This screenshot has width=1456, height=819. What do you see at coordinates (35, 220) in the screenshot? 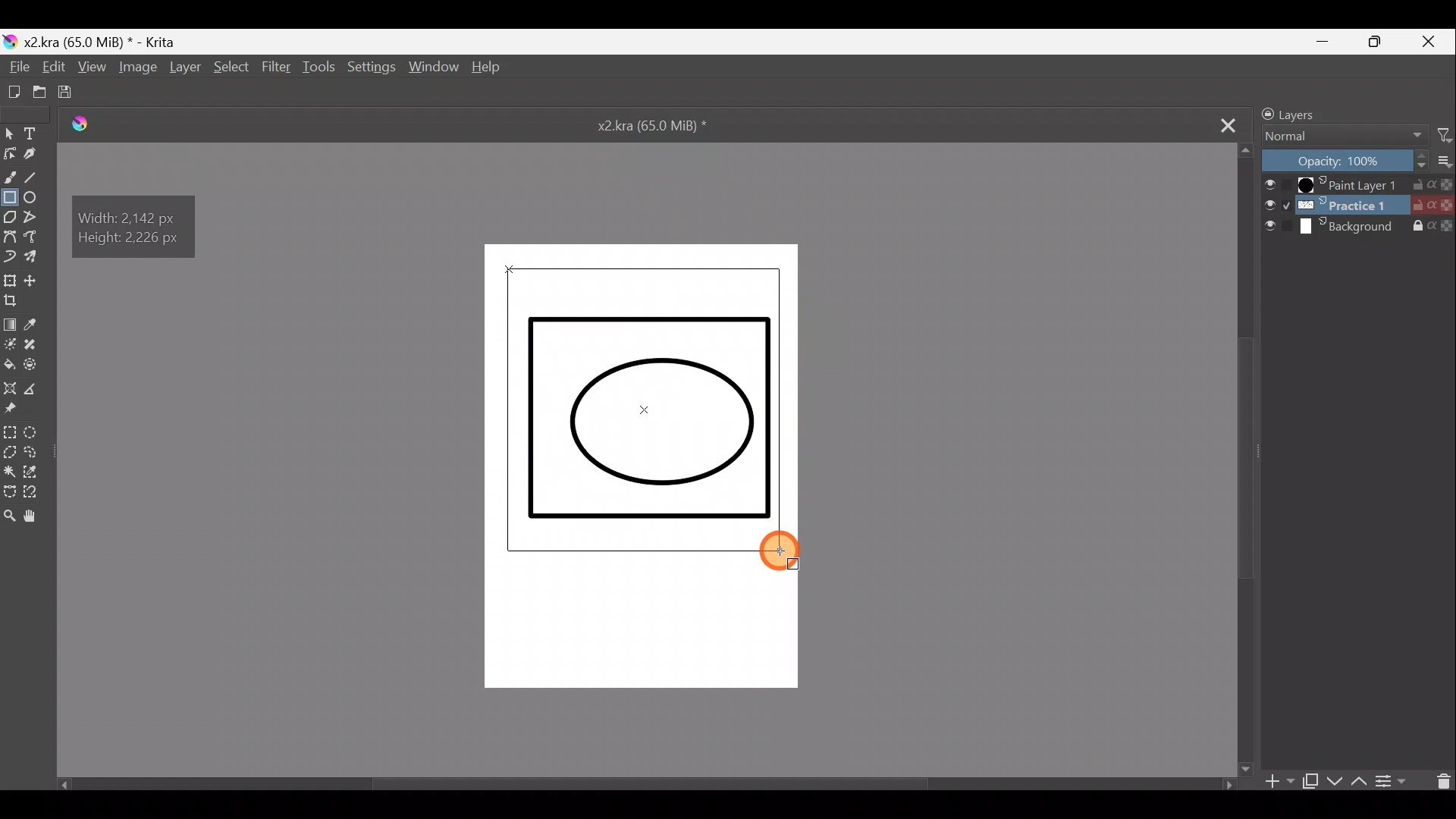
I see `Polyline tool` at bounding box center [35, 220].